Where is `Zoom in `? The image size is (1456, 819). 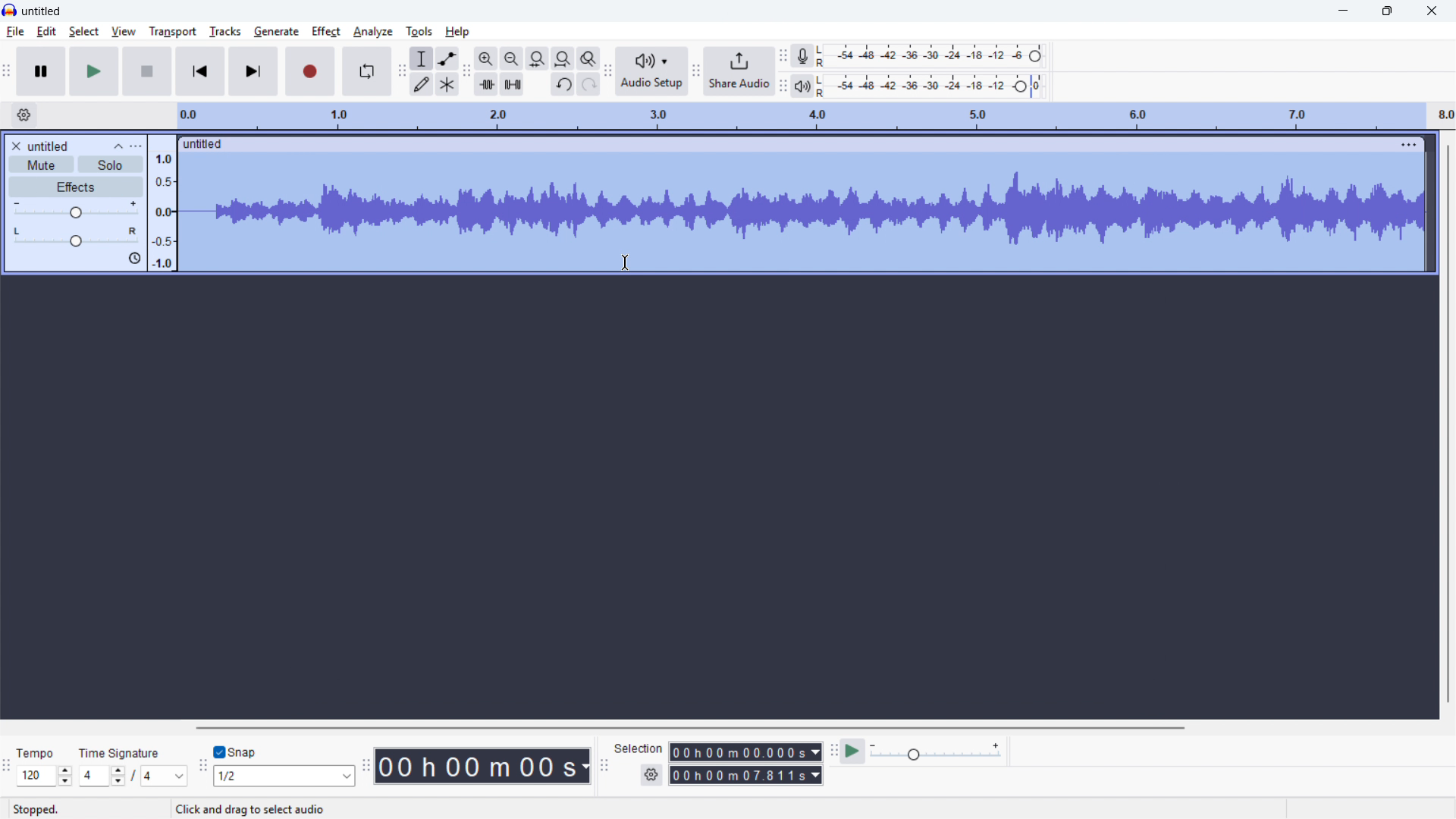 Zoom in  is located at coordinates (485, 58).